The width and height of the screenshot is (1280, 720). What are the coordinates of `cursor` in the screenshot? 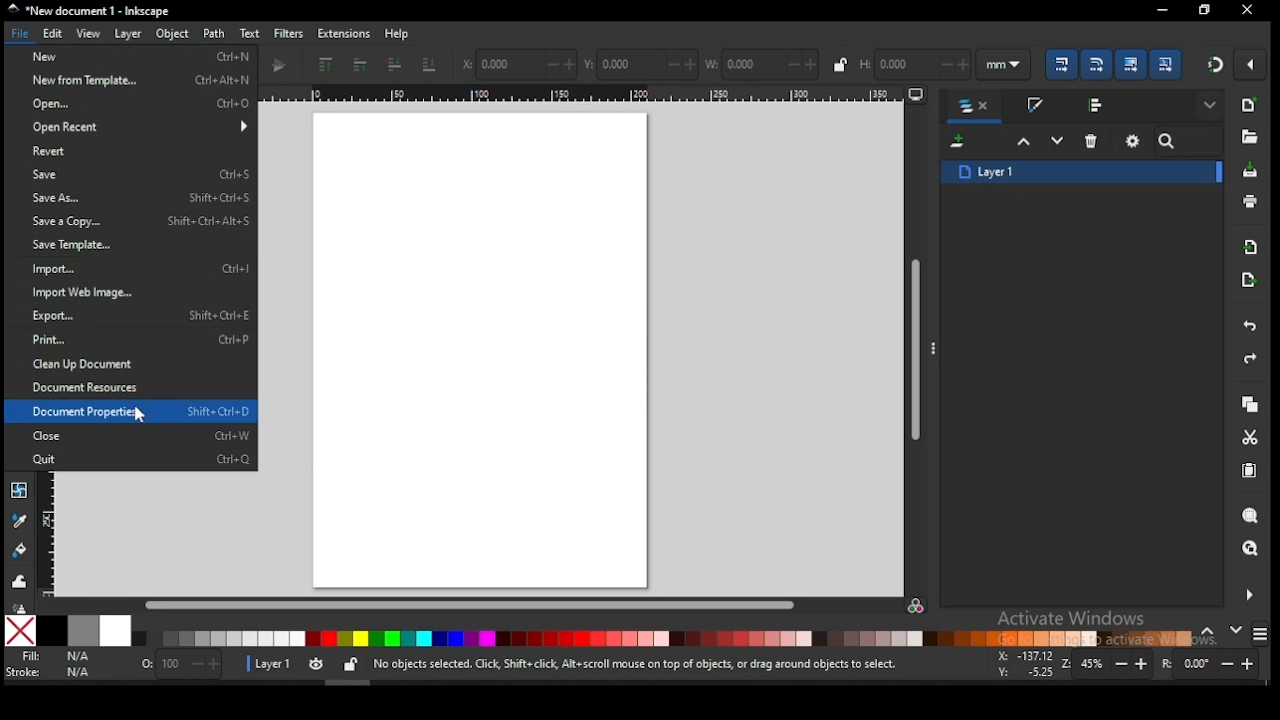 It's located at (142, 414).